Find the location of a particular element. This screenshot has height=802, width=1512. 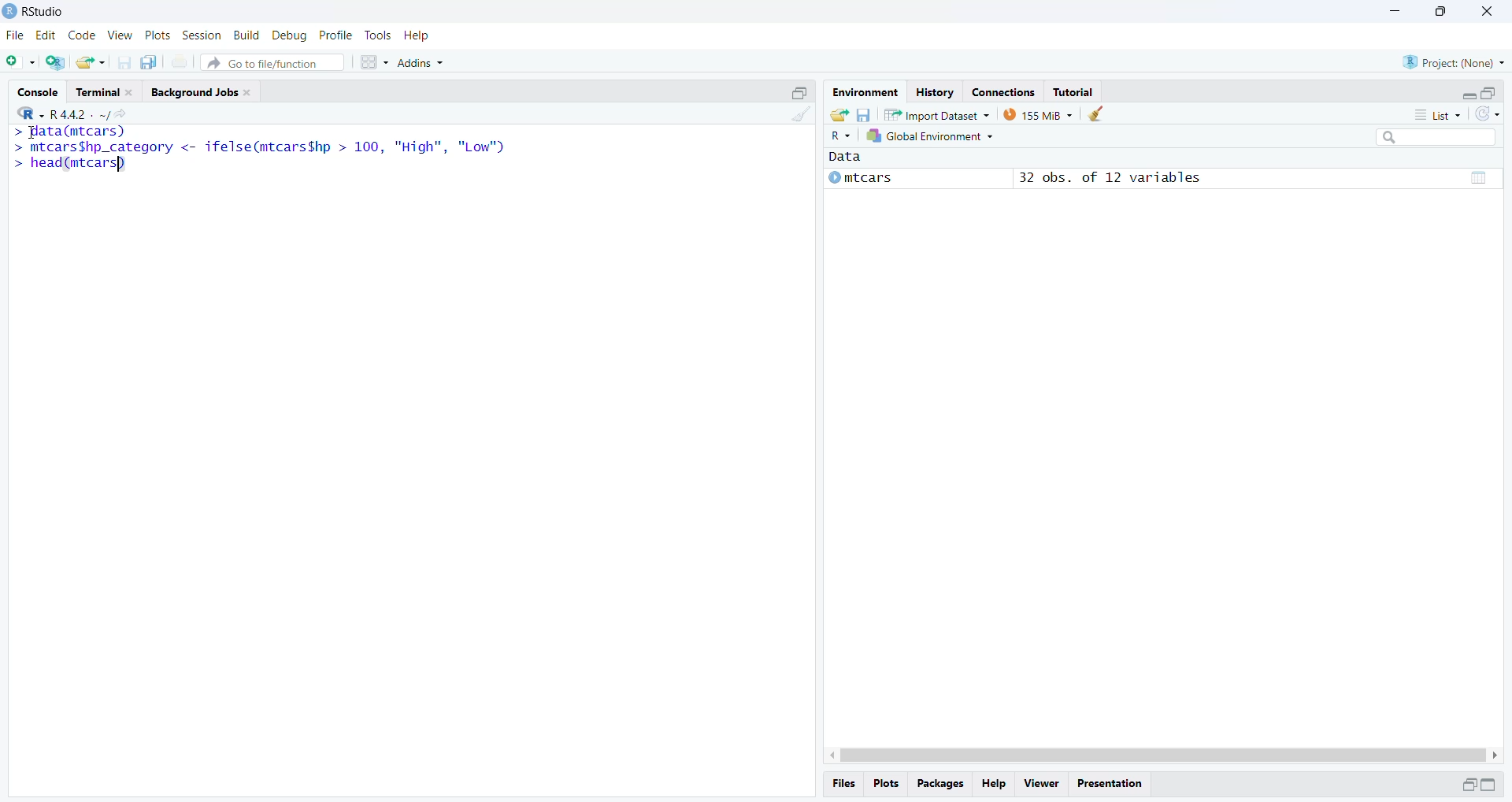

Plots is located at coordinates (889, 785).